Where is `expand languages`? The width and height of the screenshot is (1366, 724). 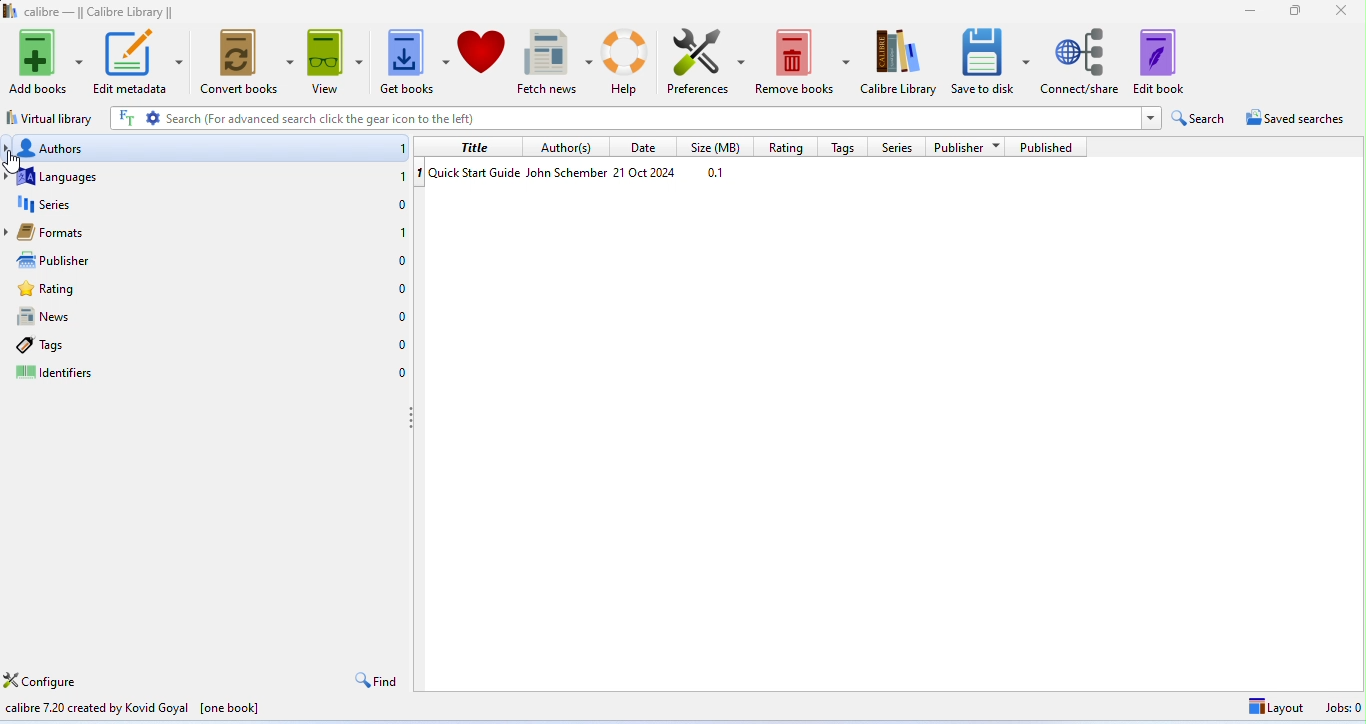
expand languages is located at coordinates (9, 177).